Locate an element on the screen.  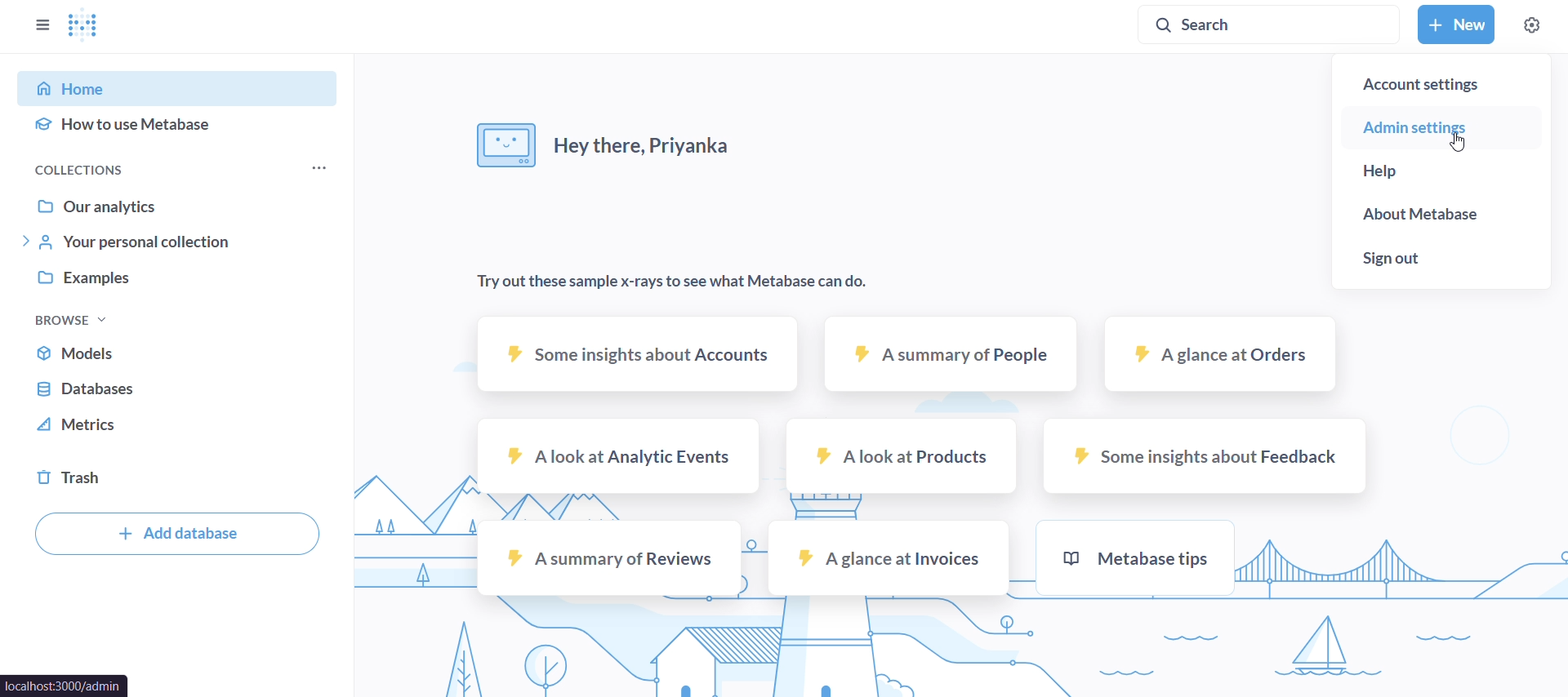
add database is located at coordinates (173, 536).